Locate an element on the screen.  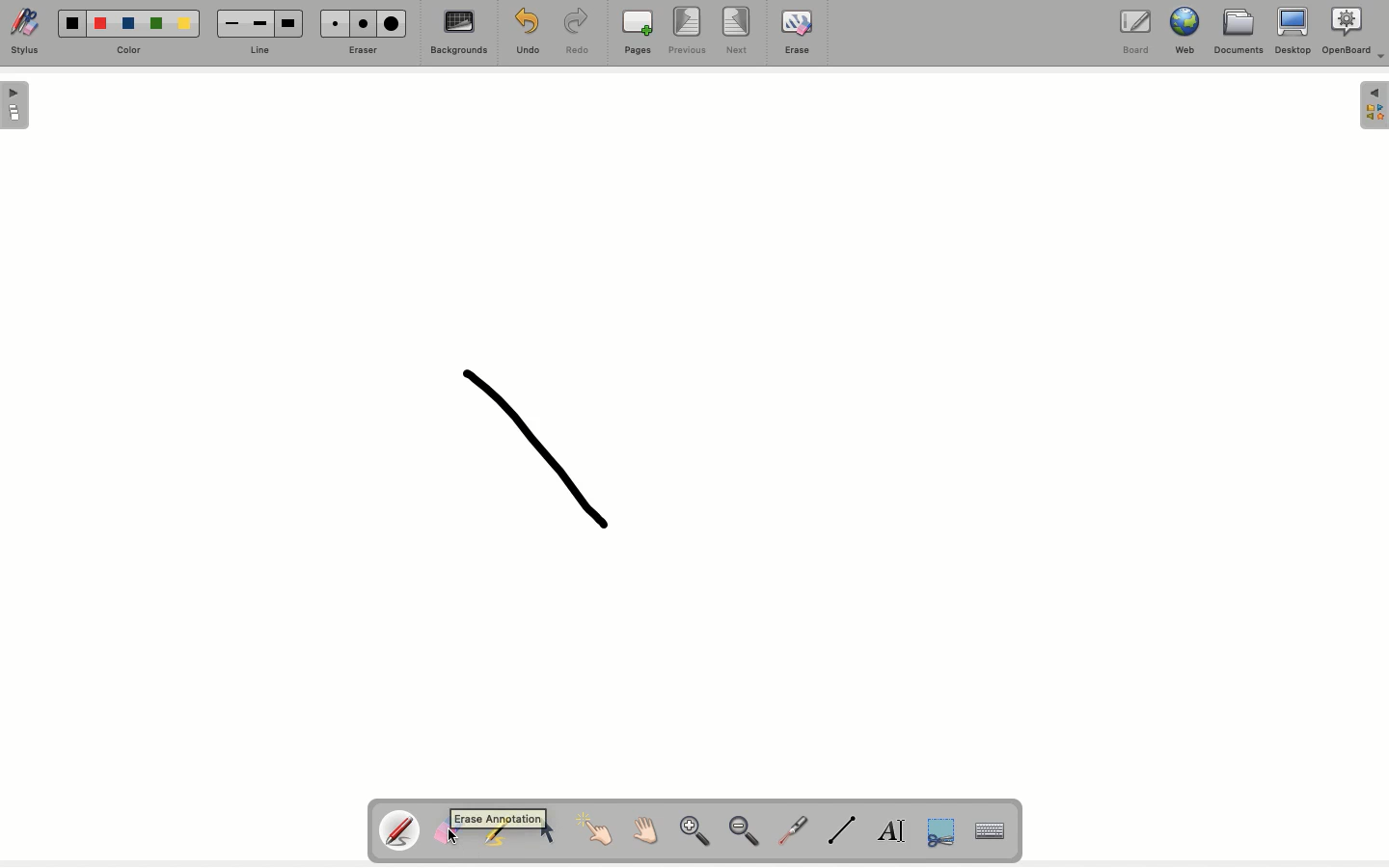
Blue is located at coordinates (128, 20).